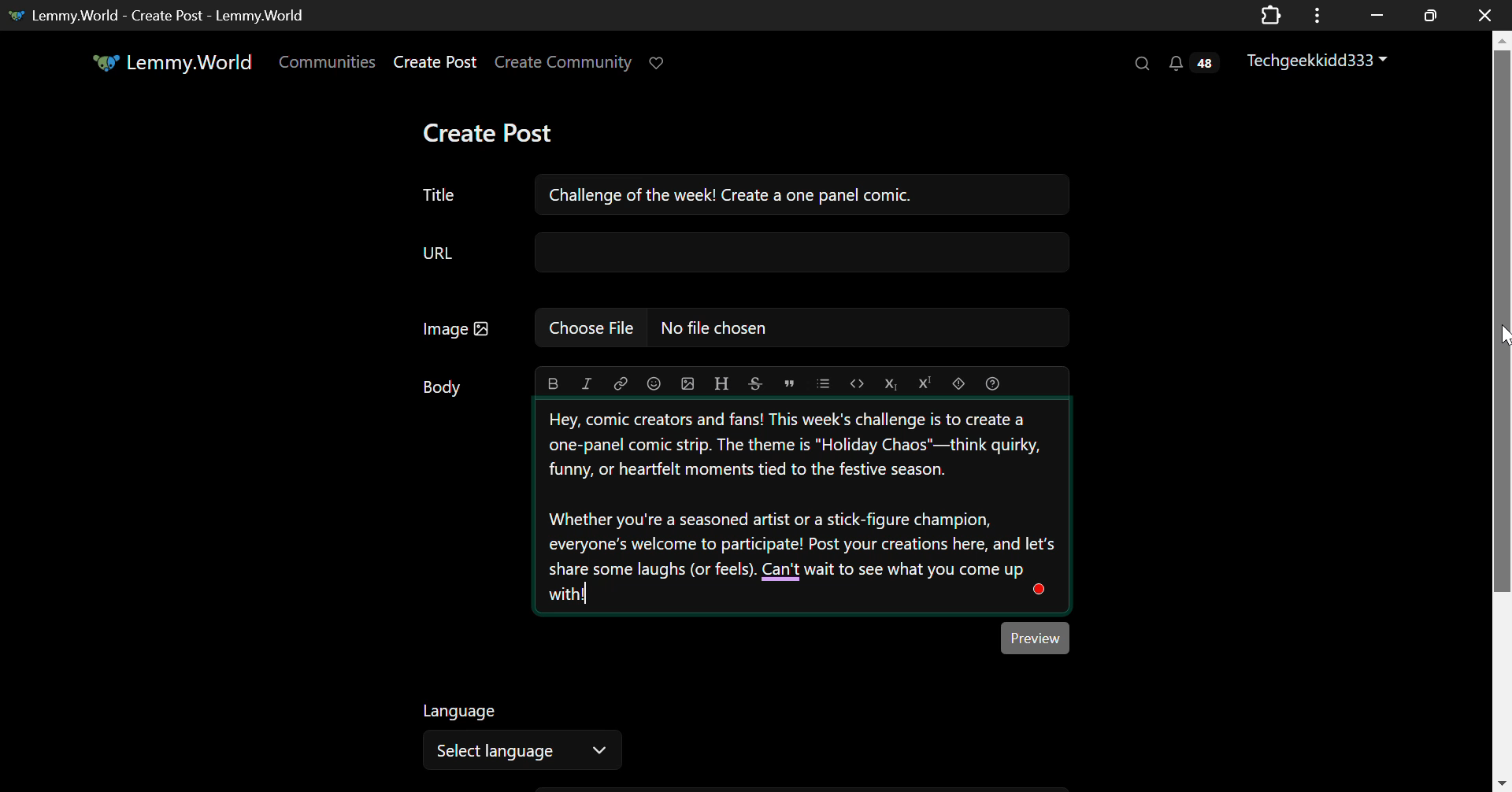 The width and height of the screenshot is (1512, 792). I want to click on Lemmy.World- Create Post -Lemmy.World, so click(162, 13).